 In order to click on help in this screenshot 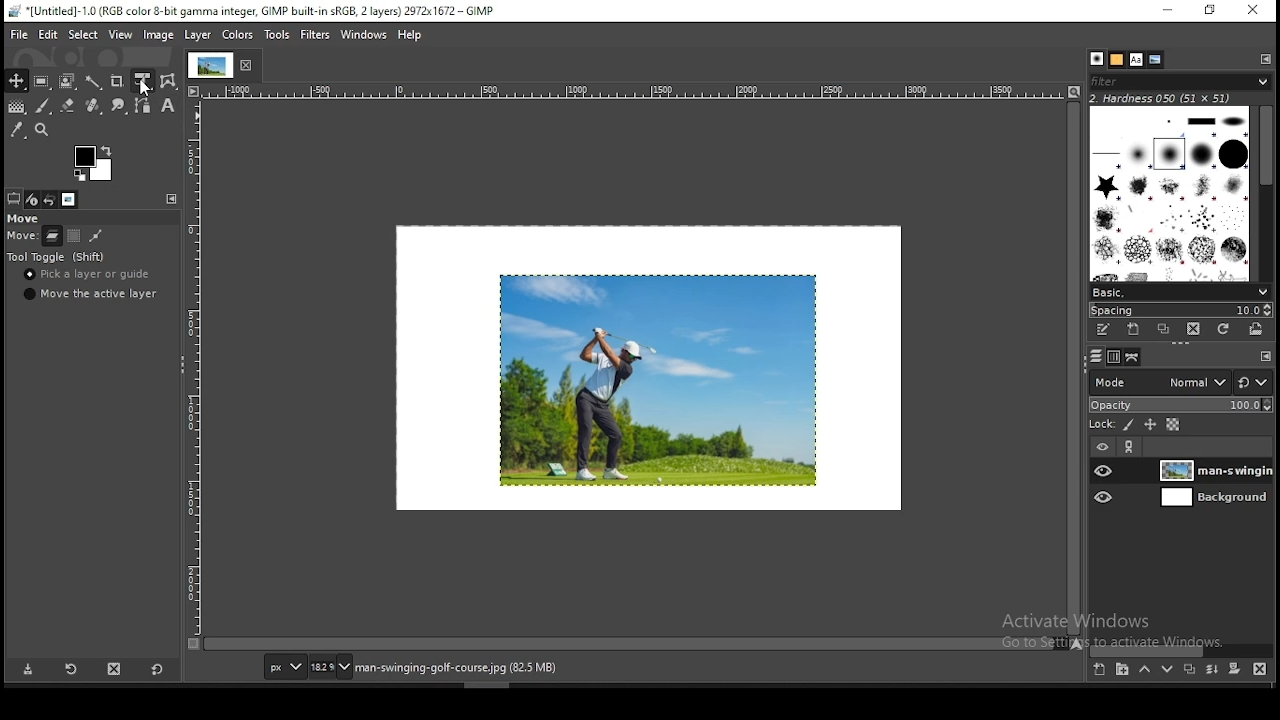, I will do `click(409, 36)`.